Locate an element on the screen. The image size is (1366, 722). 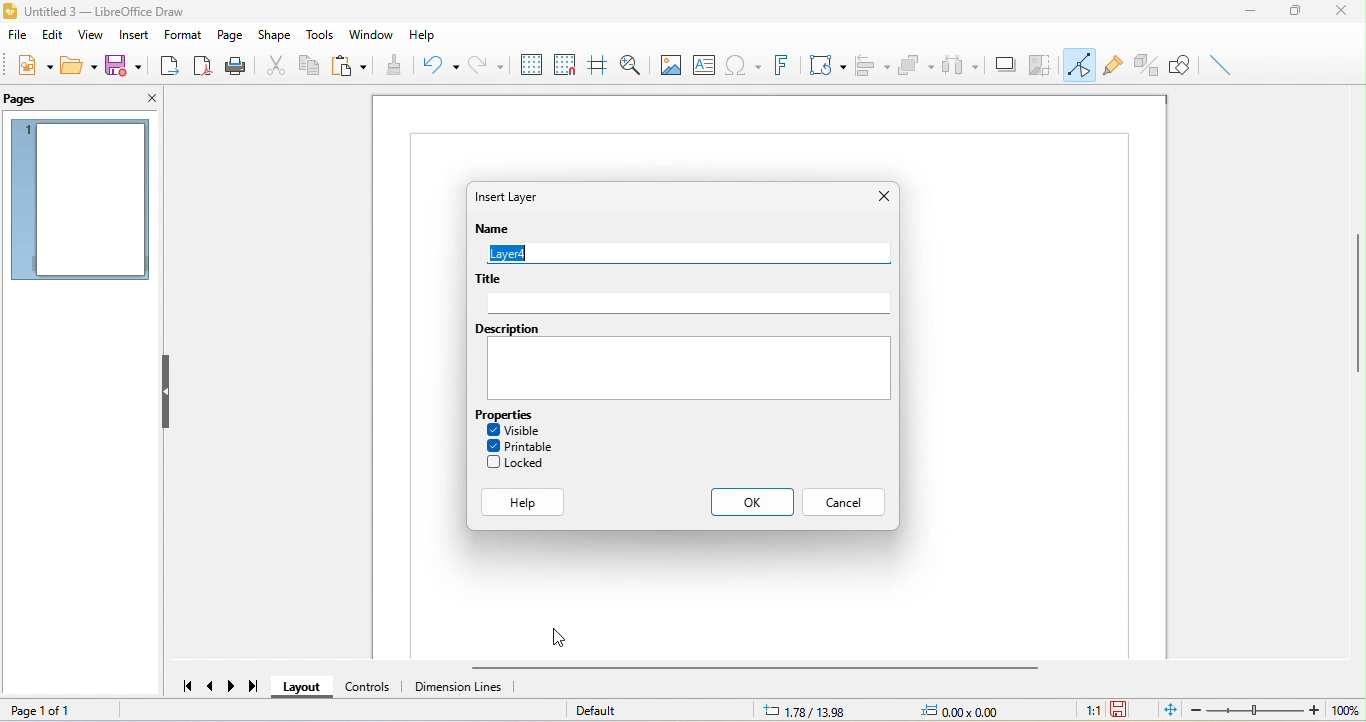
0.00x0.00 is located at coordinates (975, 710).